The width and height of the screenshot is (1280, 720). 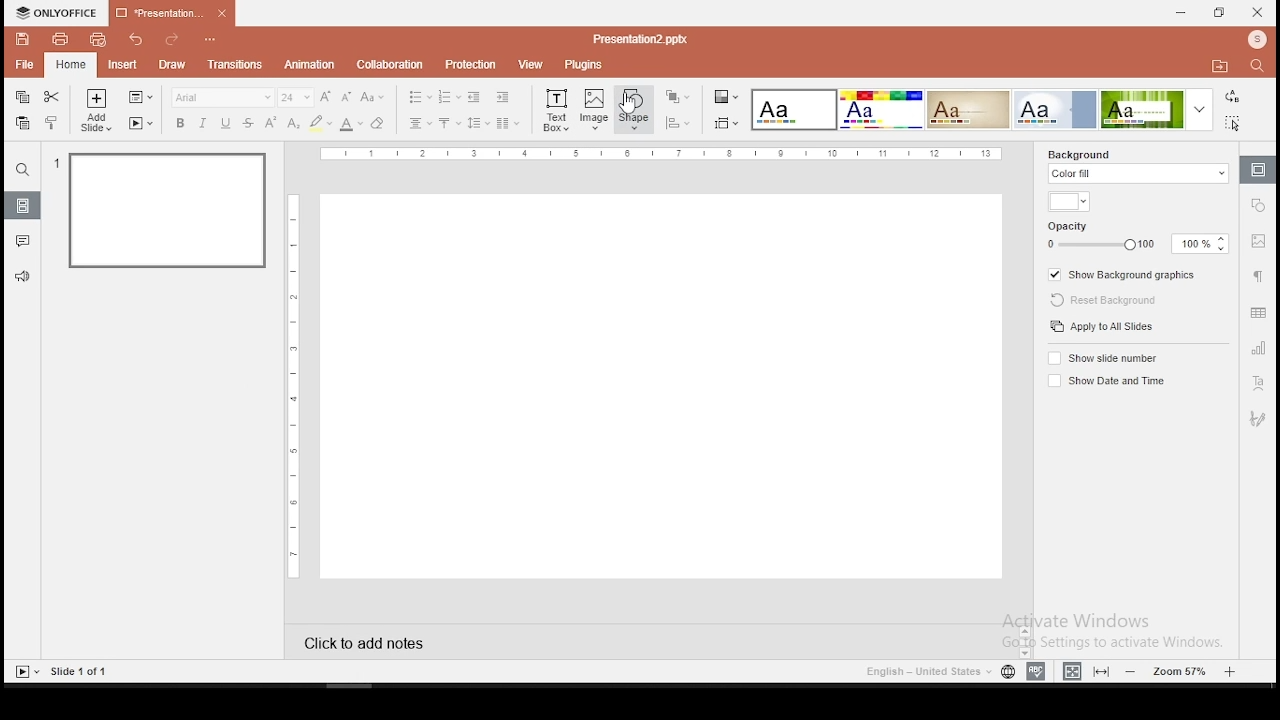 What do you see at coordinates (1256, 419) in the screenshot?
I see `` at bounding box center [1256, 419].